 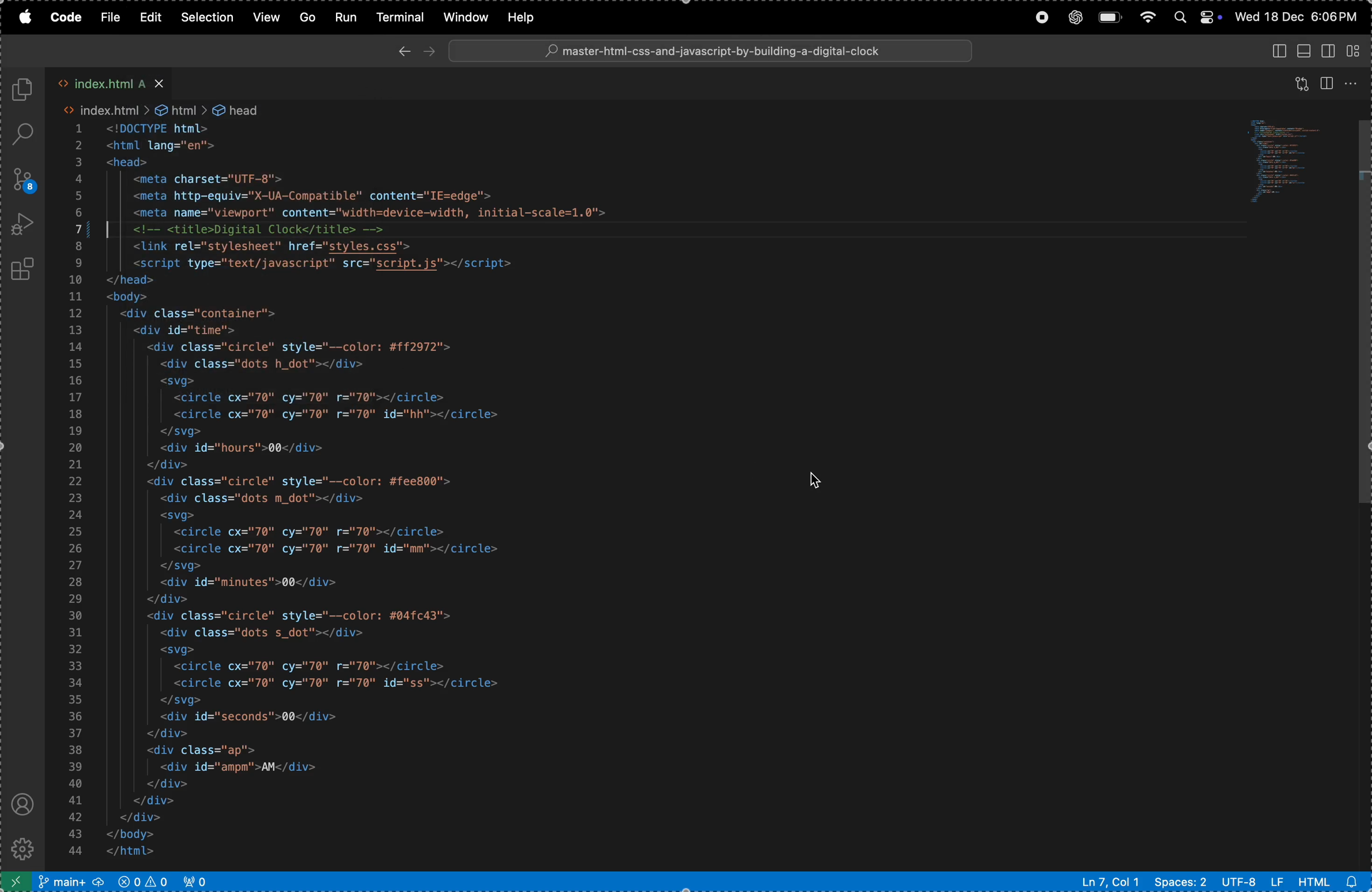 I want to click on index.html > &@ html > & head, so click(x=157, y=108).